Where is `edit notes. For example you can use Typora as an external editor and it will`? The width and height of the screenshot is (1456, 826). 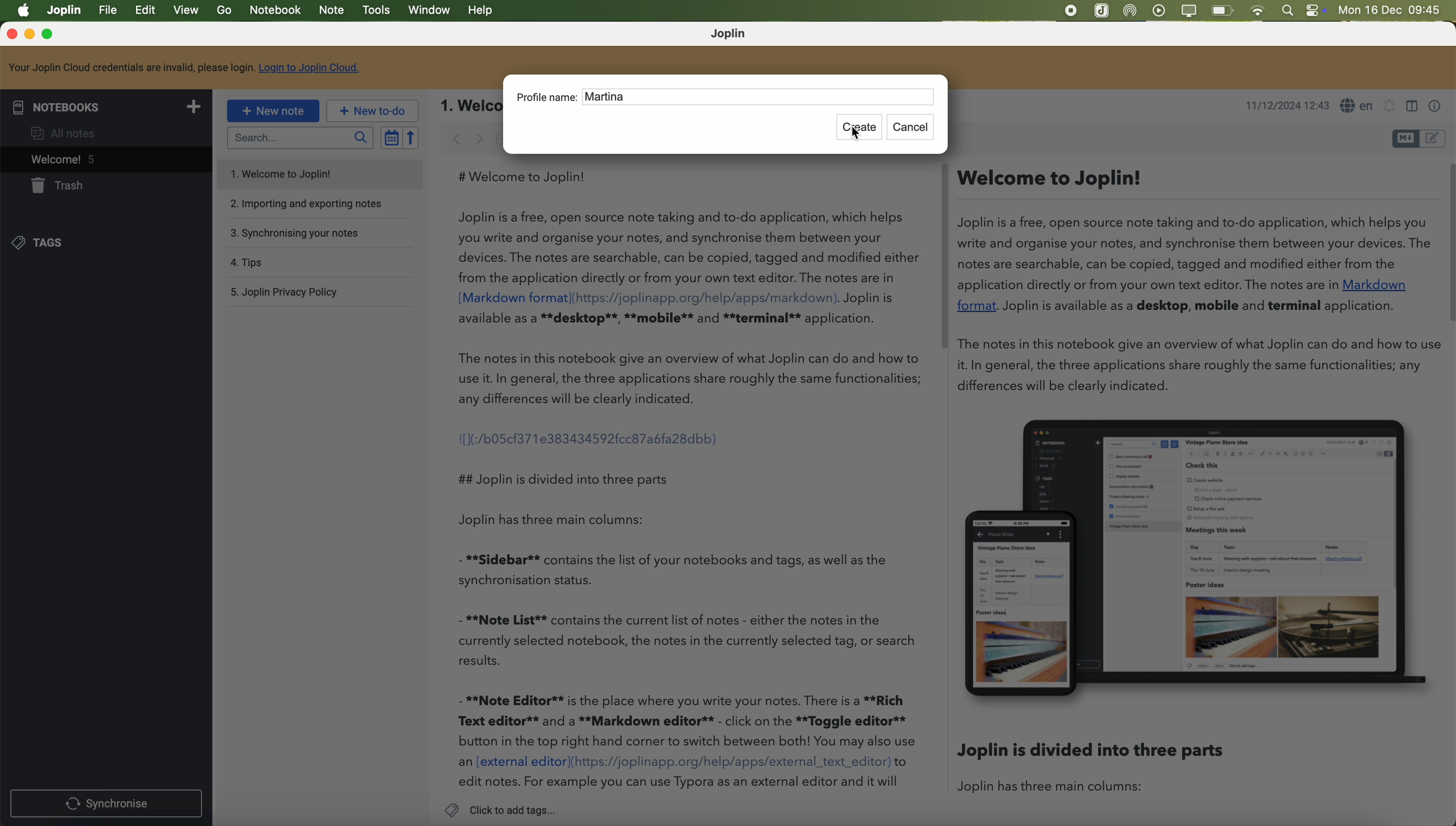
edit notes. For example you can use Typora as an external editor and it will is located at coordinates (680, 783).